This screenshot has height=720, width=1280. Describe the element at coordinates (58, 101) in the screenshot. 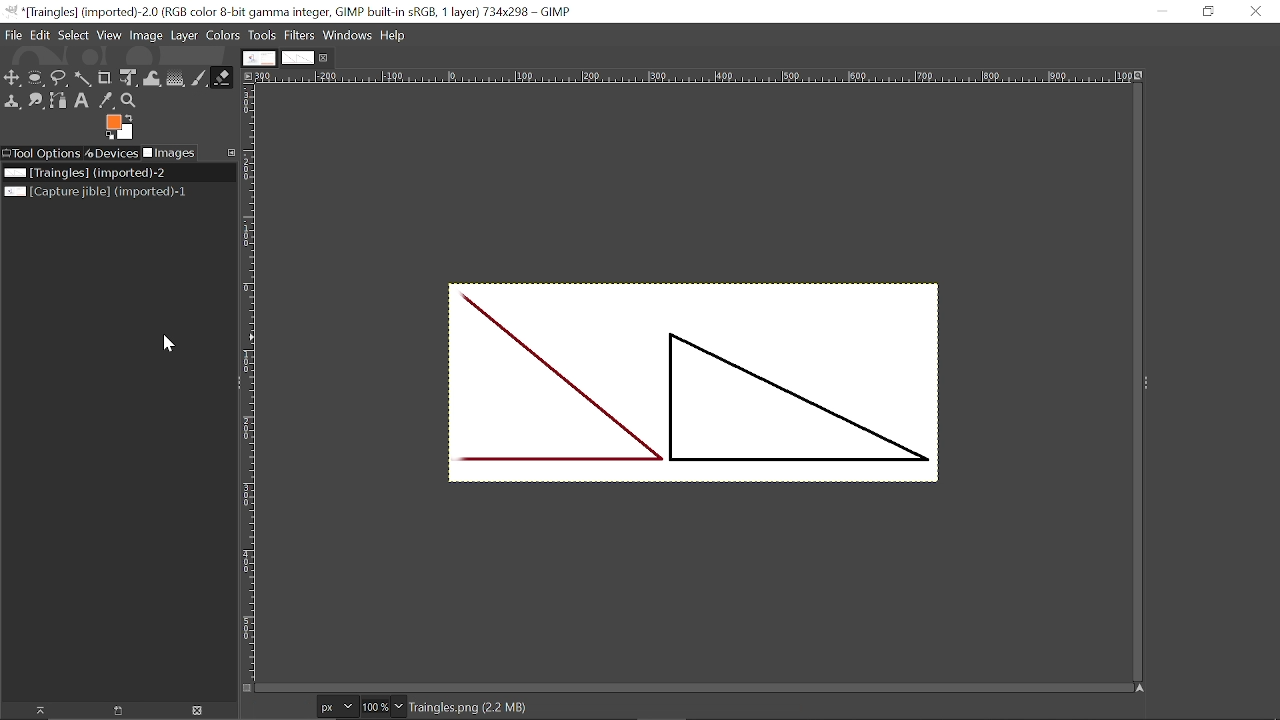

I see `Path tool` at that location.